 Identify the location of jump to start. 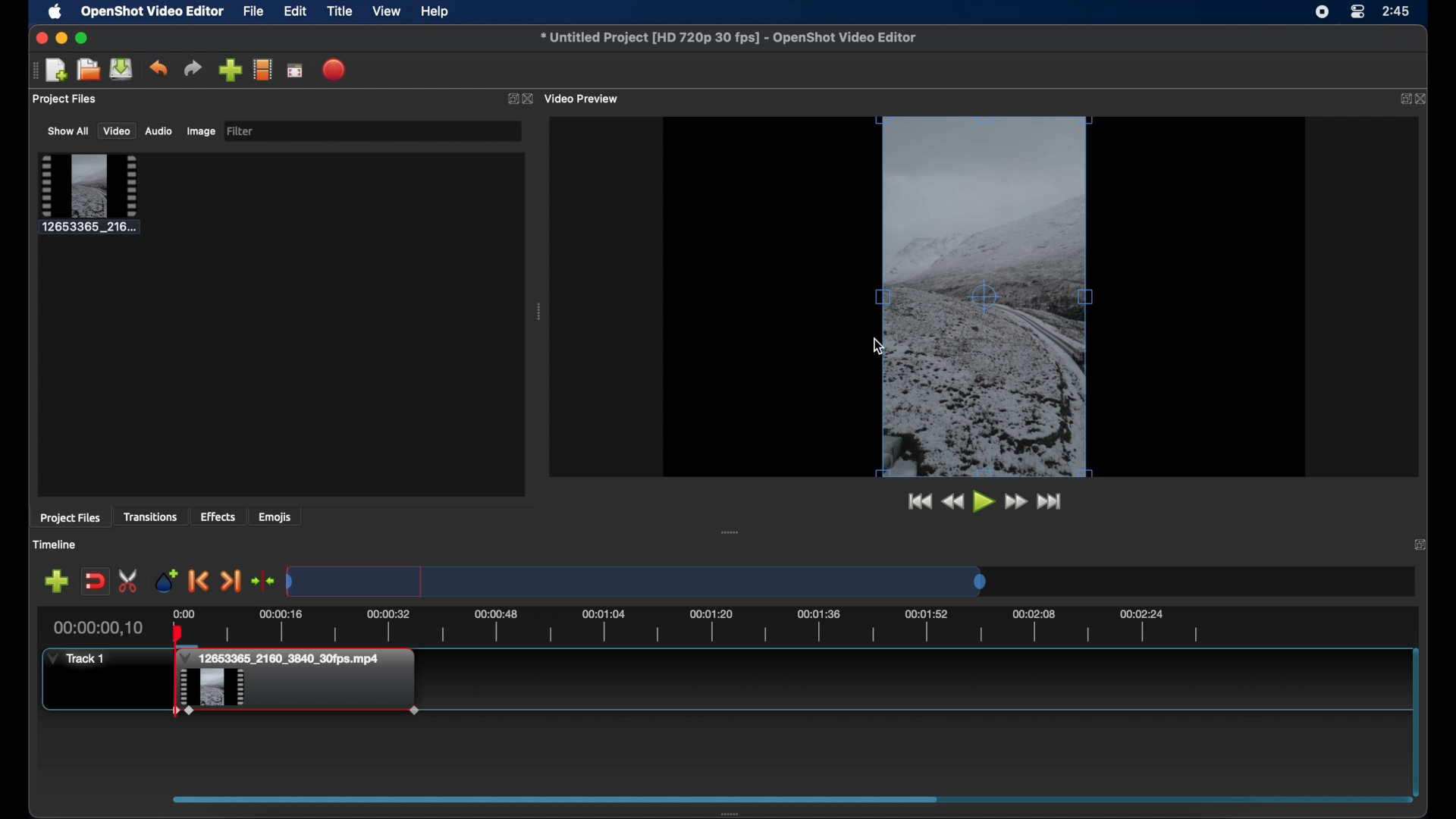
(918, 502).